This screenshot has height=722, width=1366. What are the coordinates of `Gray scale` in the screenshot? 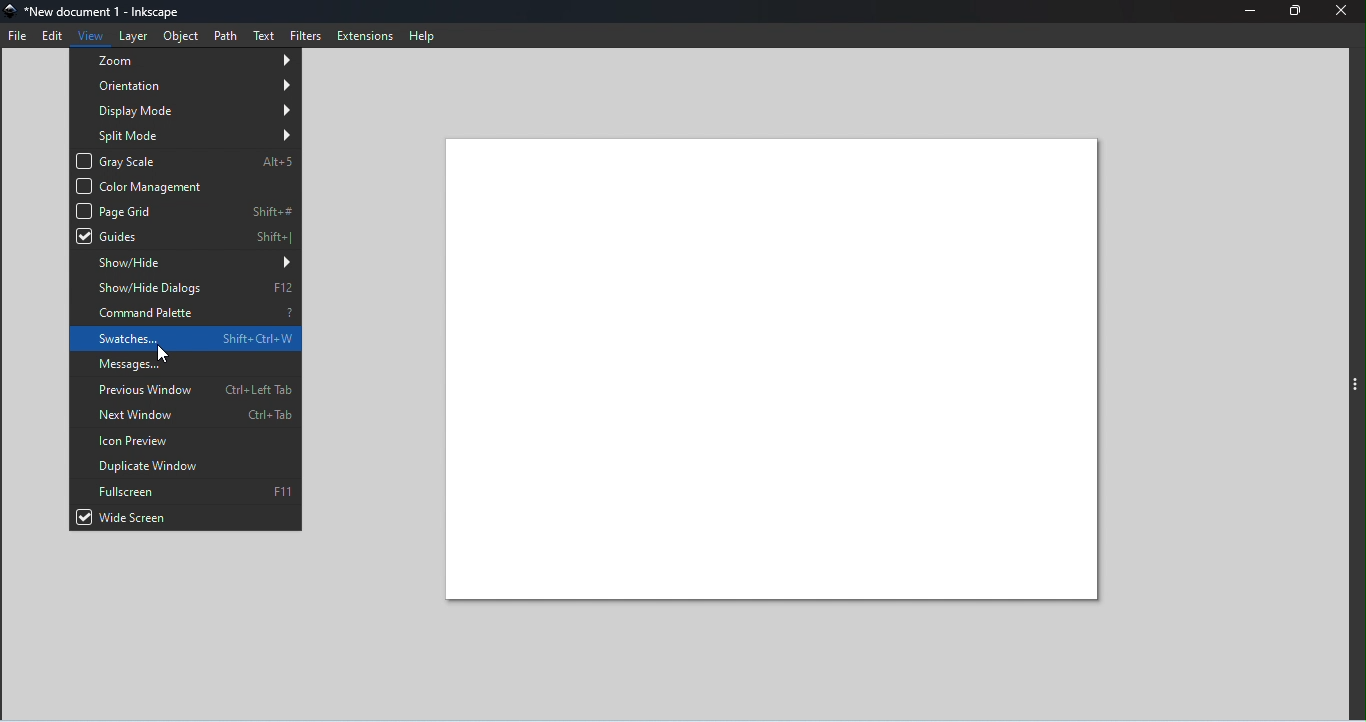 It's located at (184, 161).